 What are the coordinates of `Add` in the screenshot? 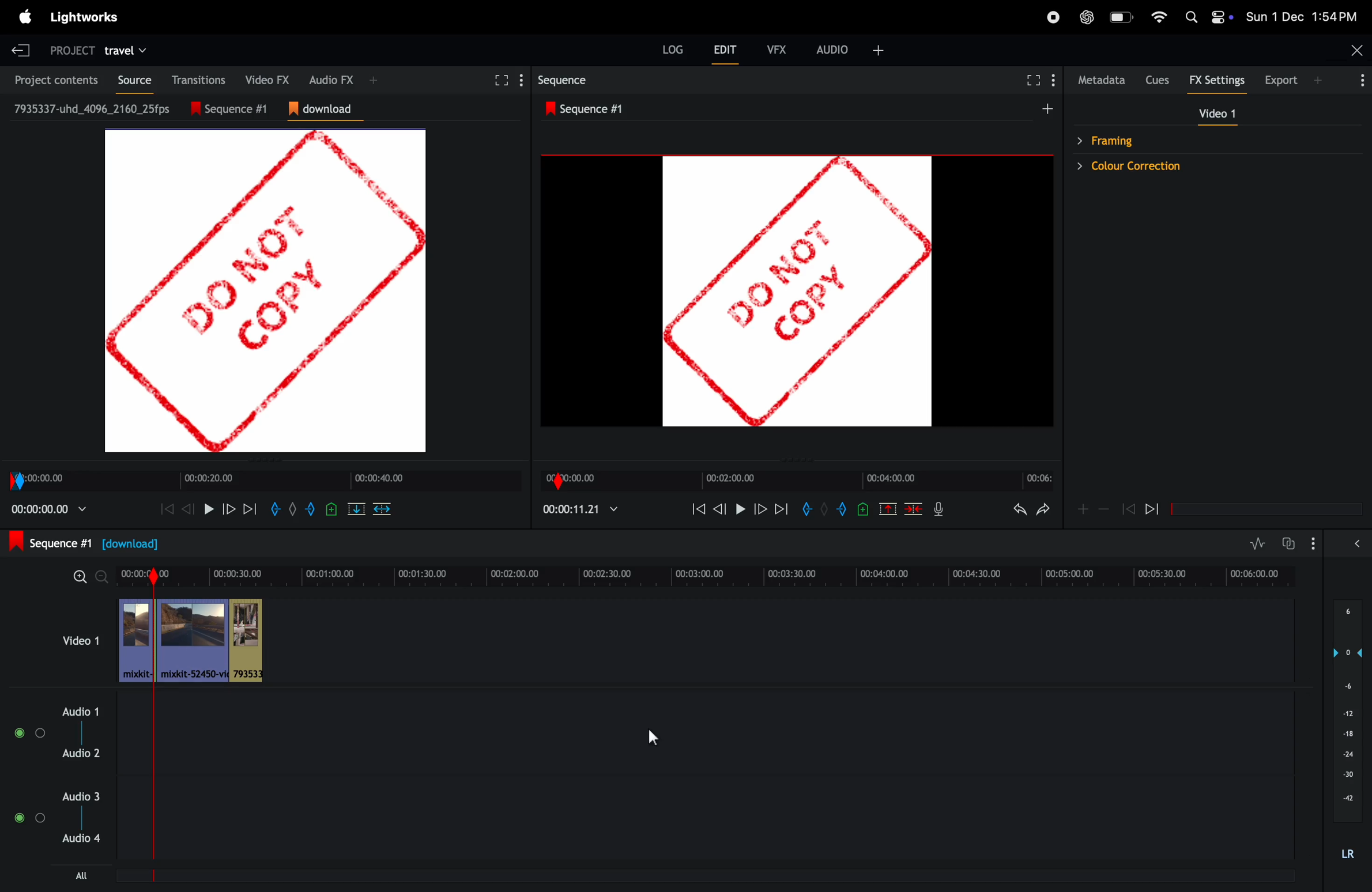 It's located at (374, 80).